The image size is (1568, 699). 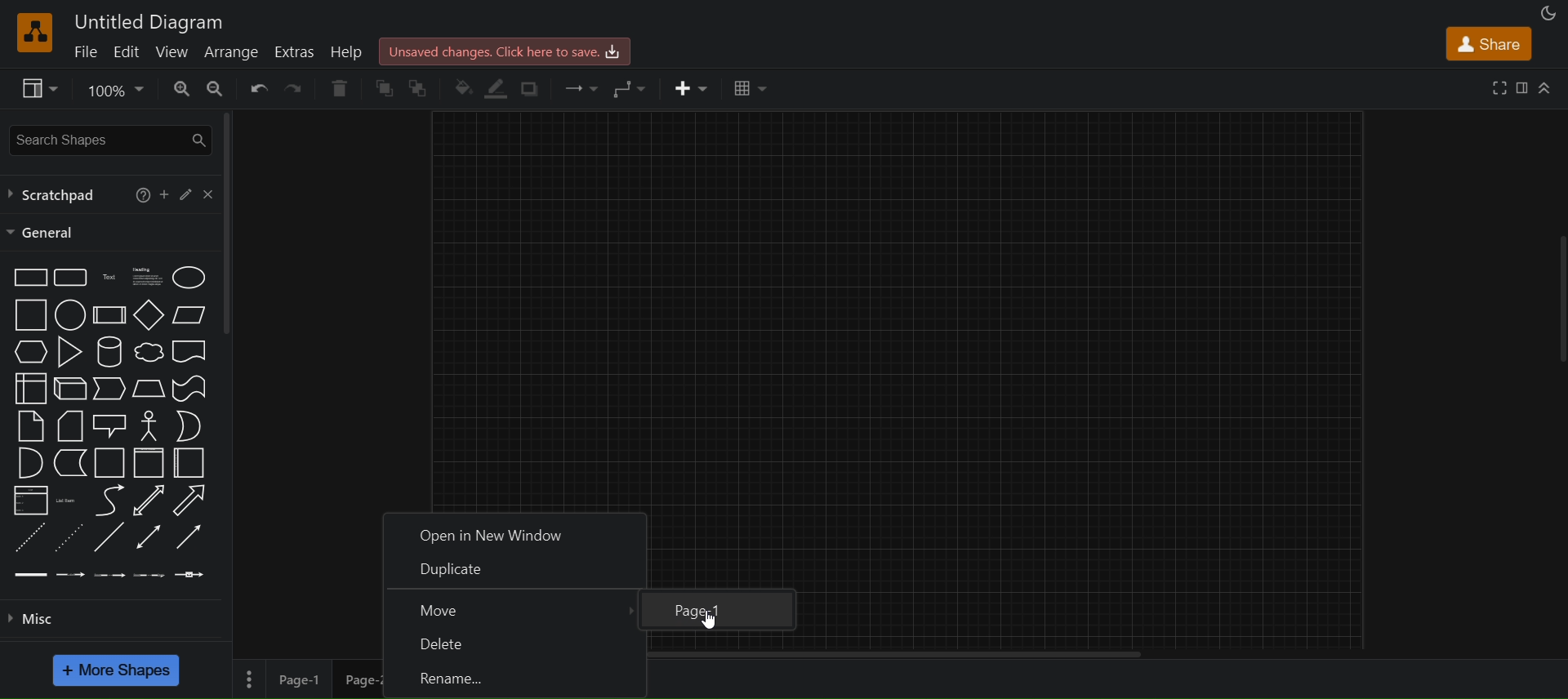 What do you see at coordinates (109, 425) in the screenshot?
I see `callout` at bounding box center [109, 425].